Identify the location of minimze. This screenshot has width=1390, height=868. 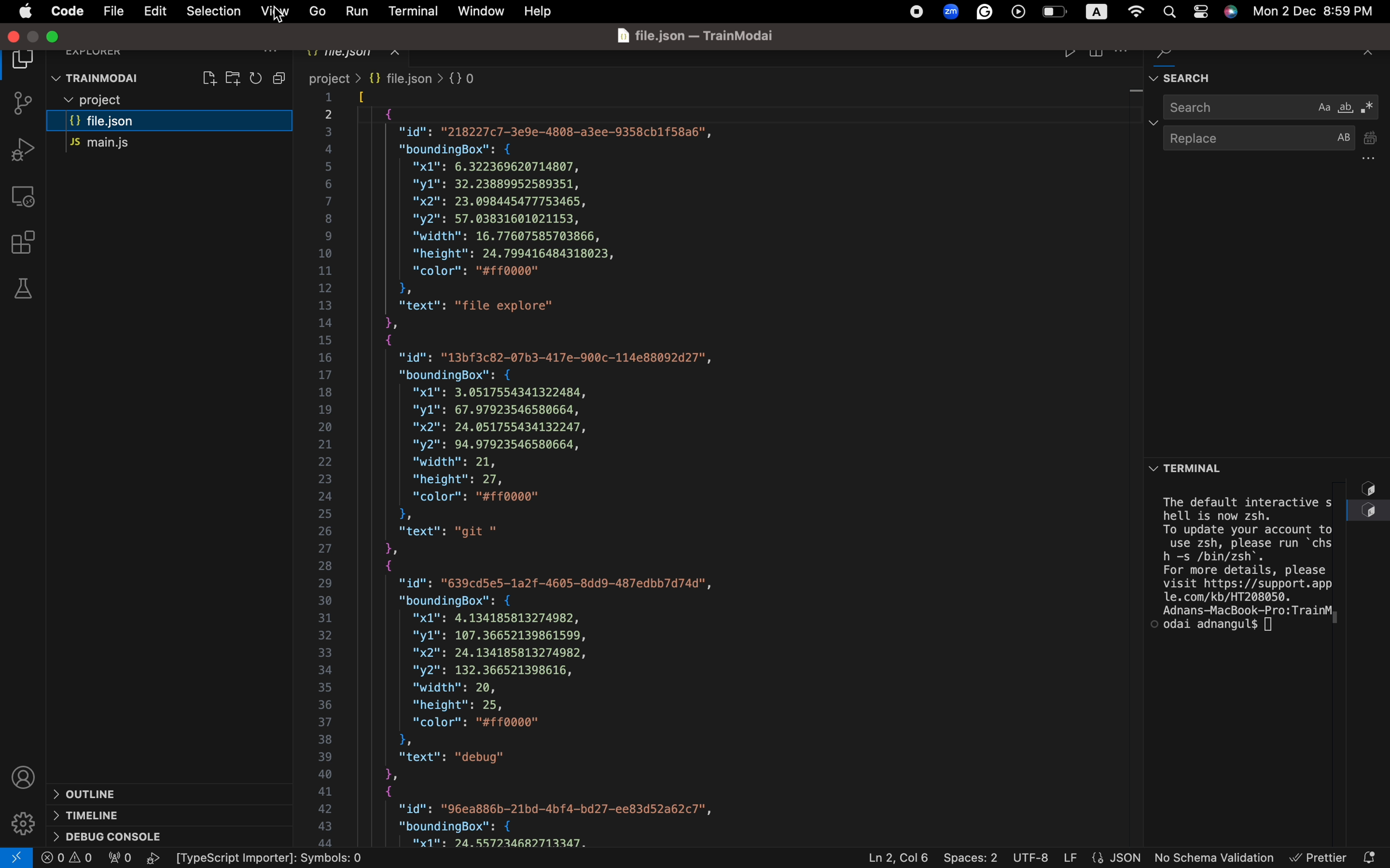
(55, 33).